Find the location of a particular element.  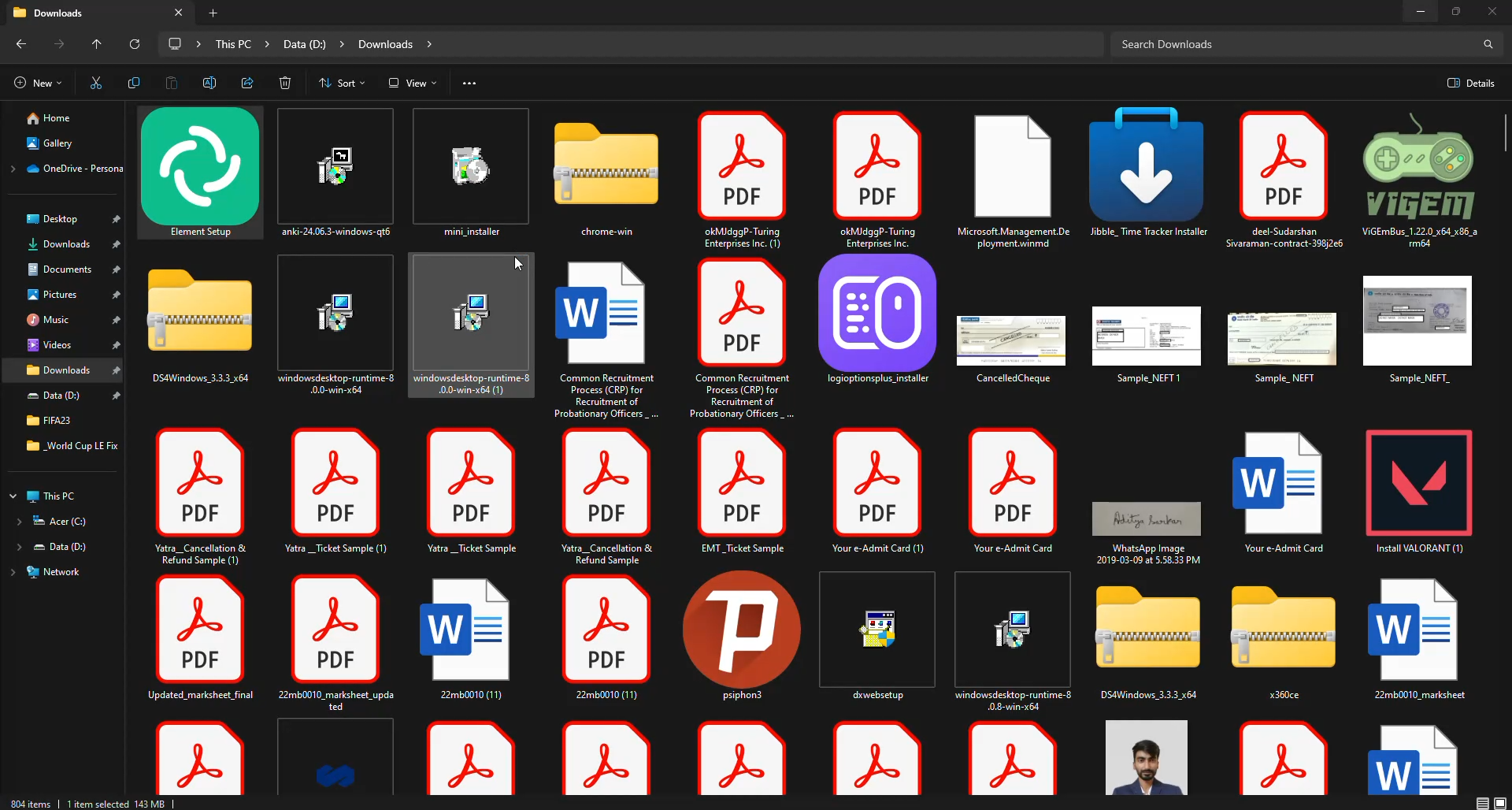

file is located at coordinates (878, 491).